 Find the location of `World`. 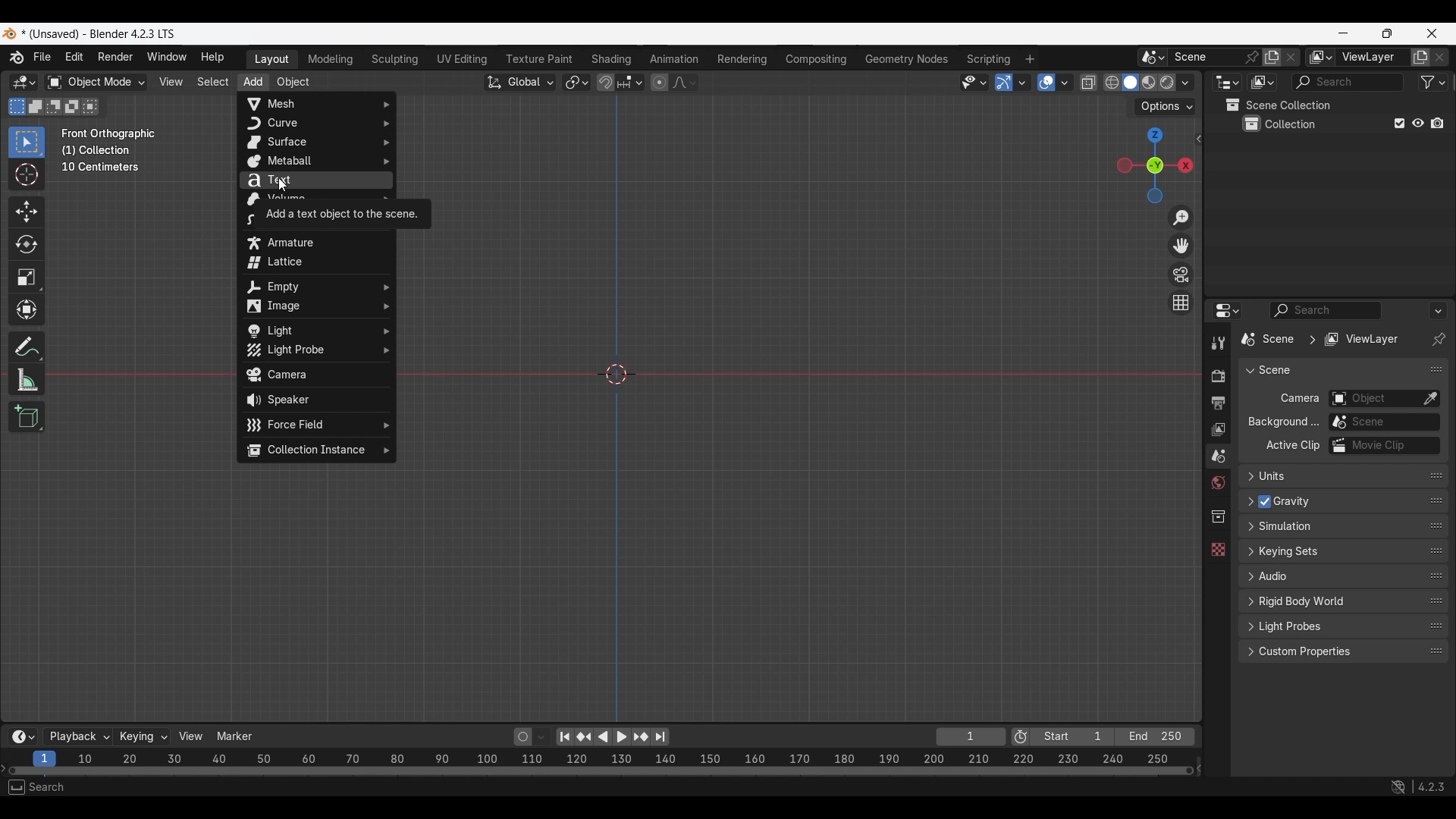

World is located at coordinates (1217, 484).